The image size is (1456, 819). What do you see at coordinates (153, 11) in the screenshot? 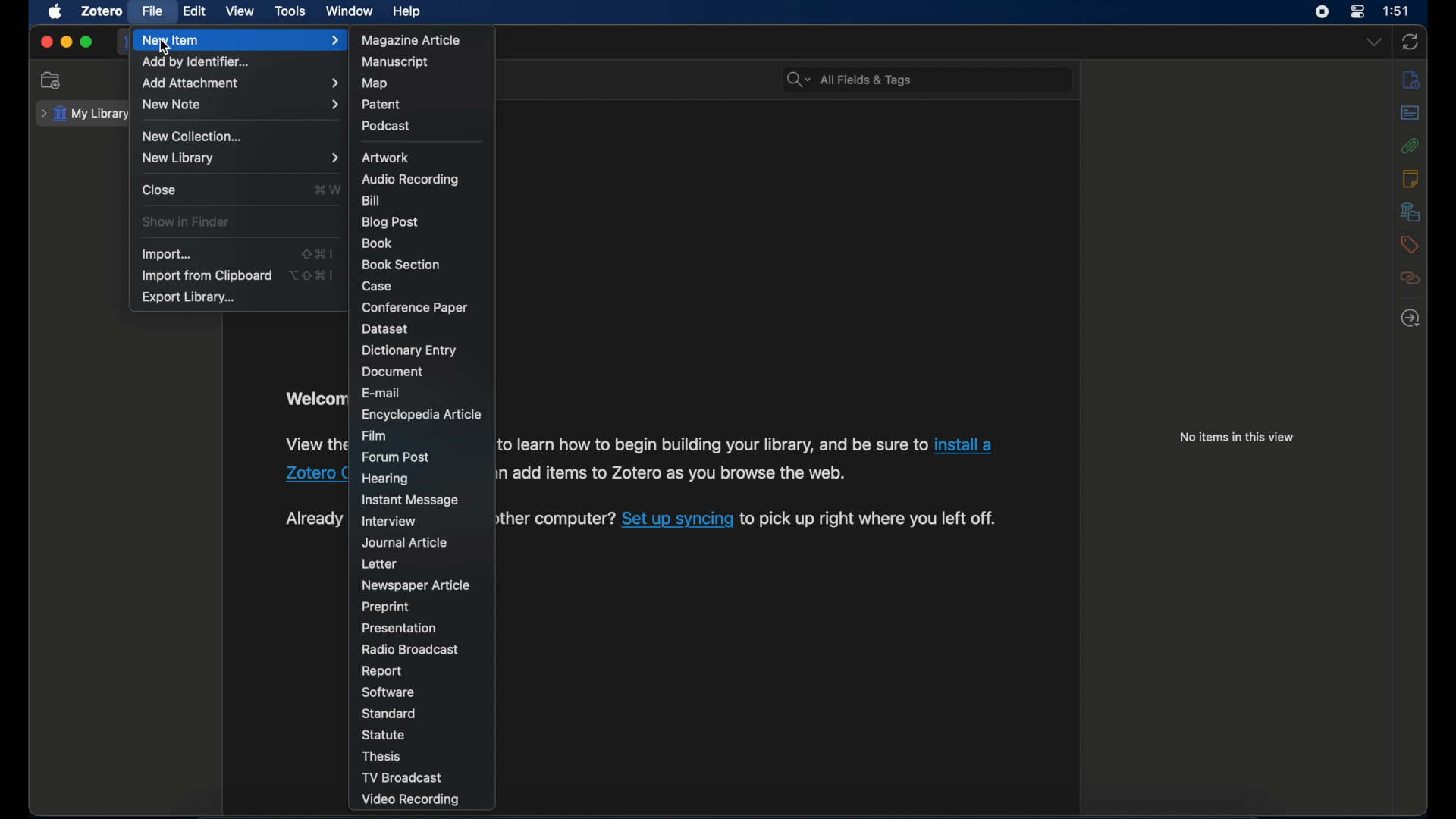
I see `file` at bounding box center [153, 11].